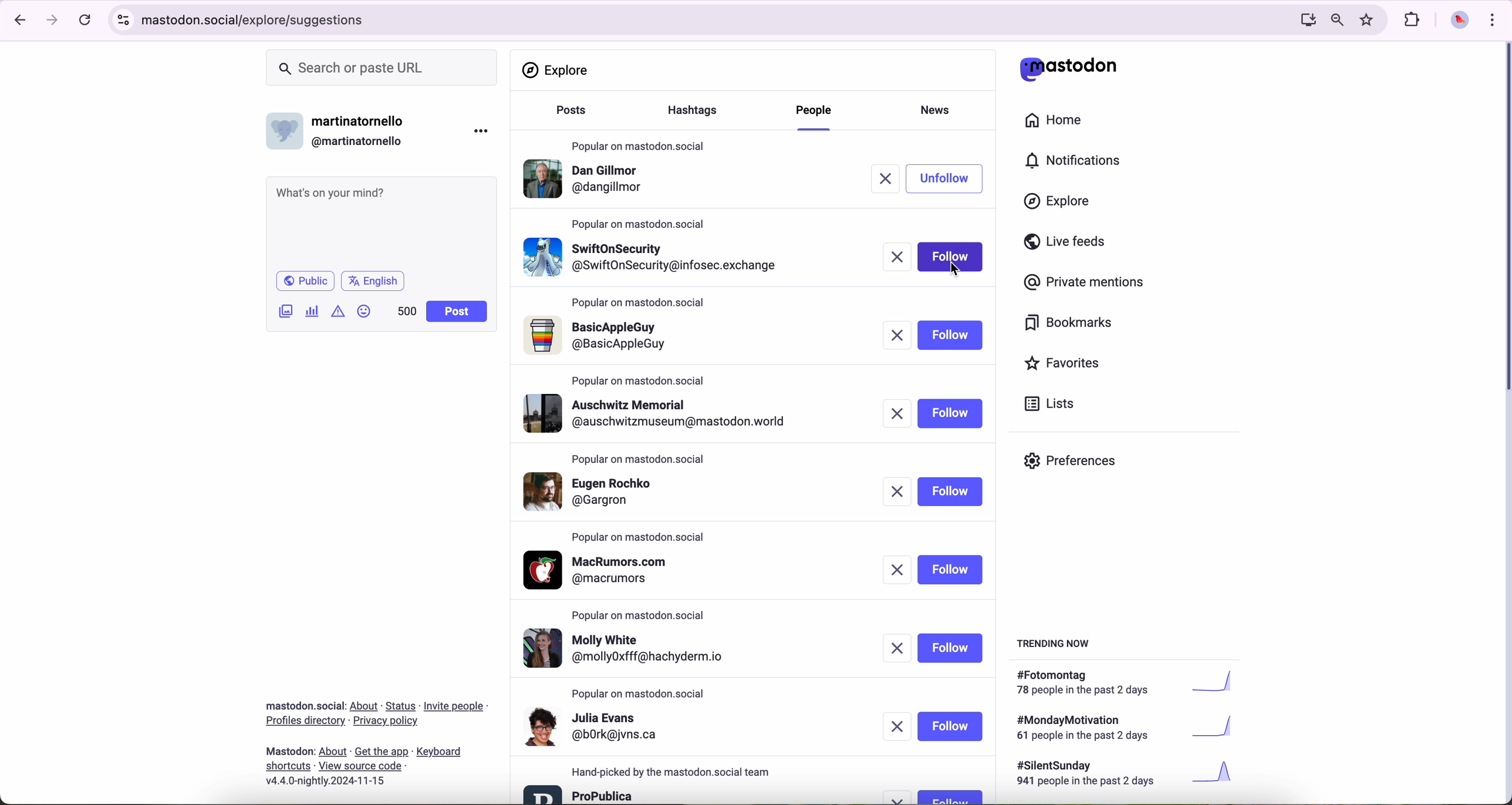 Image resolution: width=1512 pixels, height=805 pixels. Describe the element at coordinates (1303, 19) in the screenshot. I see `computer` at that location.